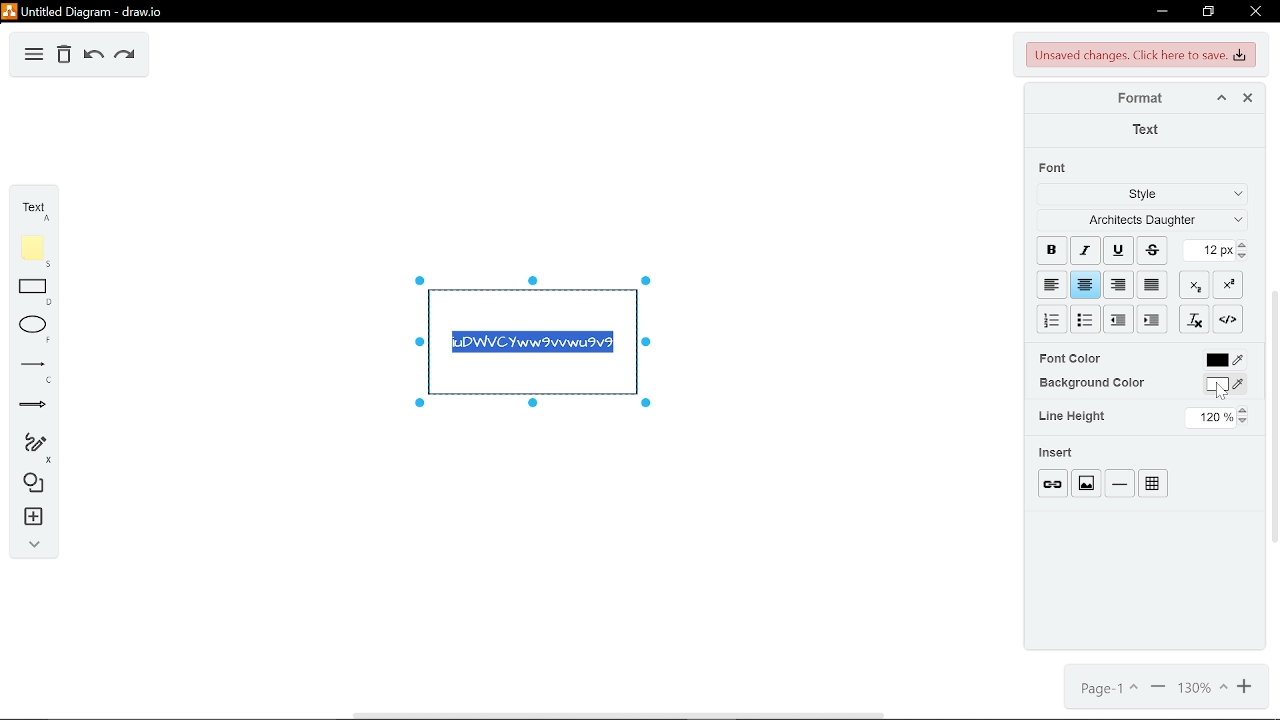 The height and width of the screenshot is (720, 1280). I want to click on selected text, so click(533, 344).